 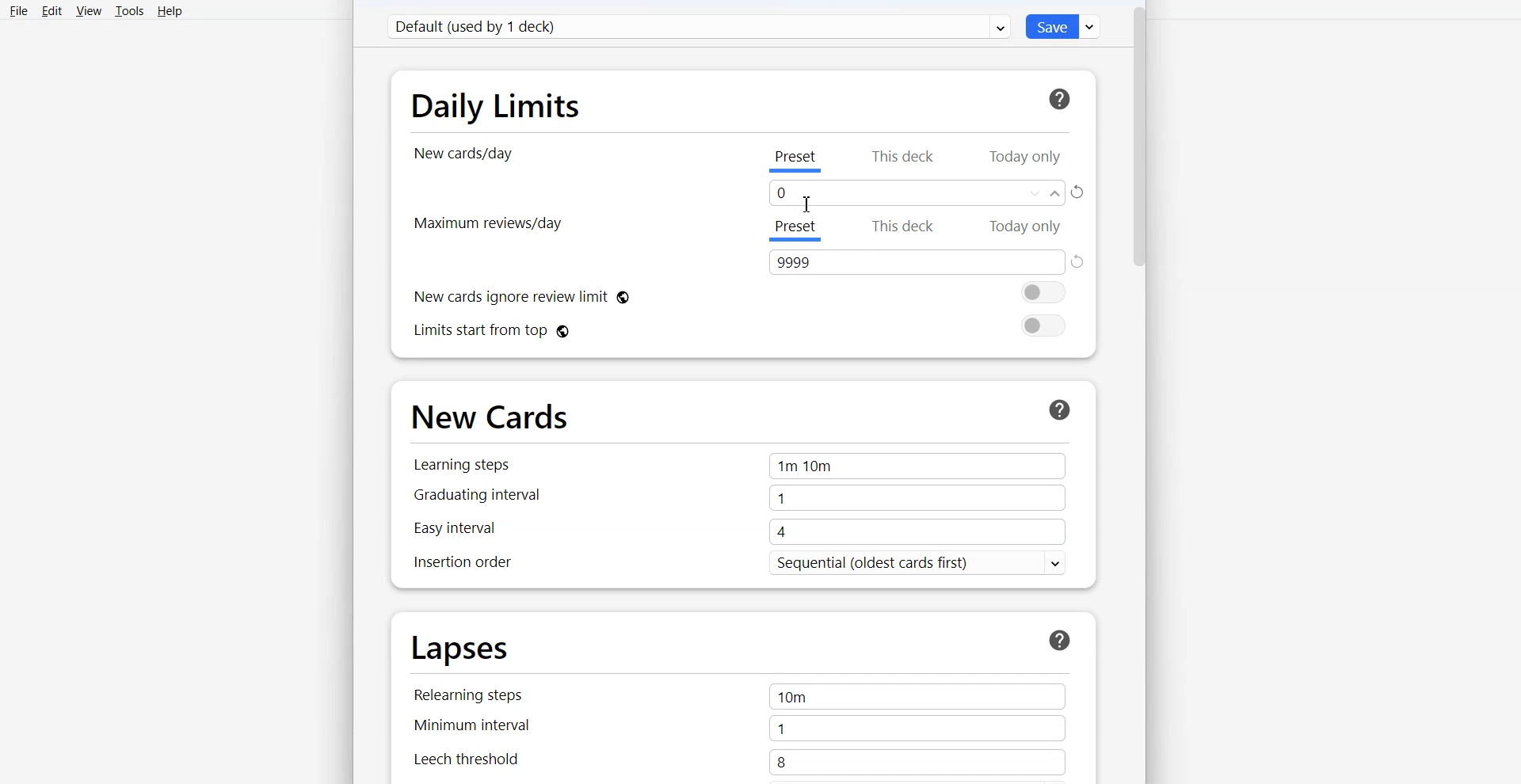 What do you see at coordinates (917, 262) in the screenshot?
I see `Text` at bounding box center [917, 262].